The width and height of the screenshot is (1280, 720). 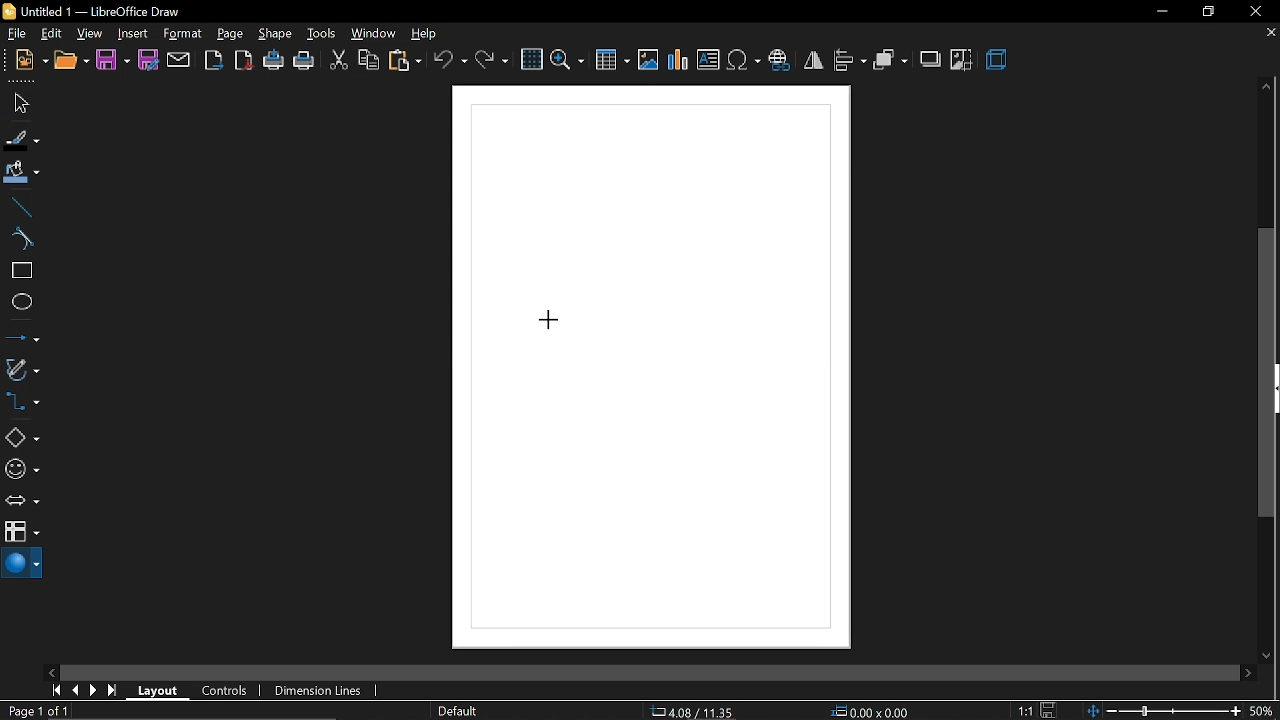 I want to click on tools, so click(x=322, y=34).